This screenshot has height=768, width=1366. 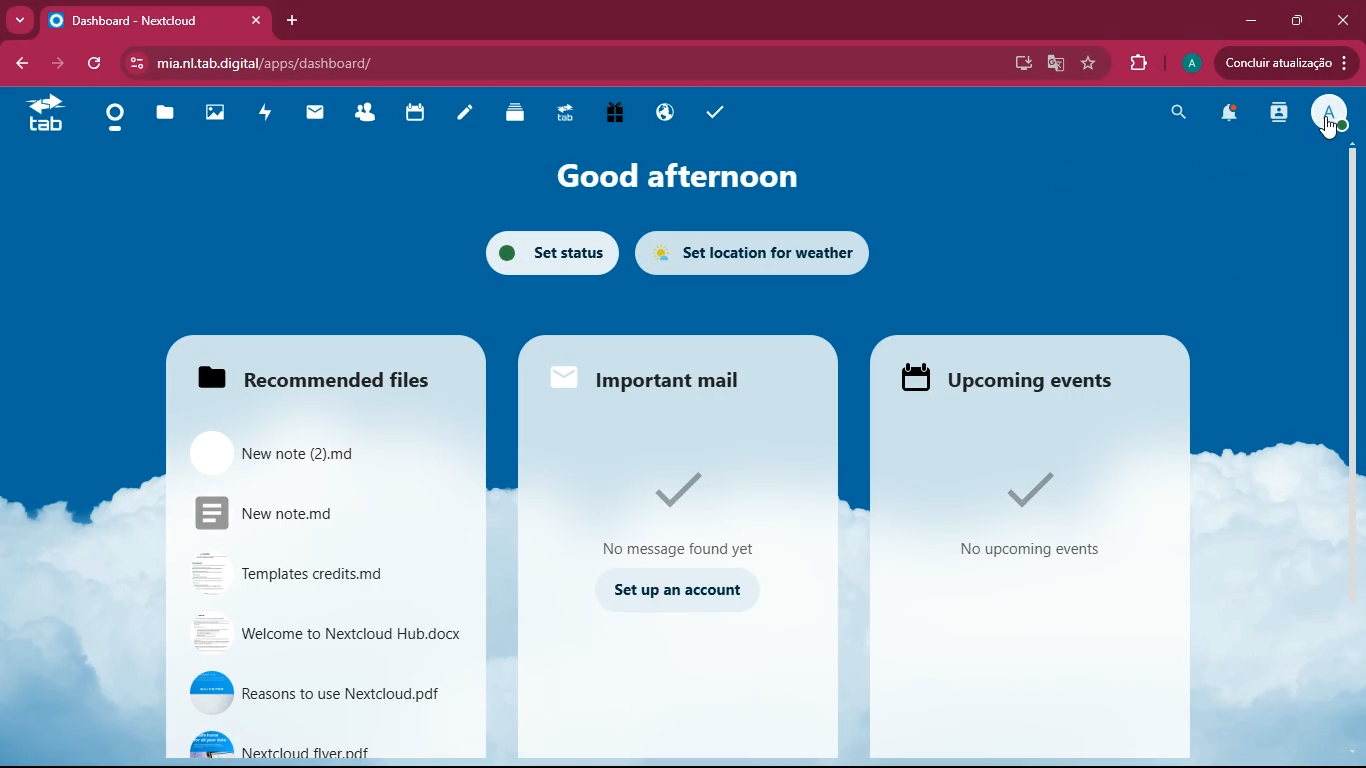 I want to click on mail, so click(x=316, y=114).